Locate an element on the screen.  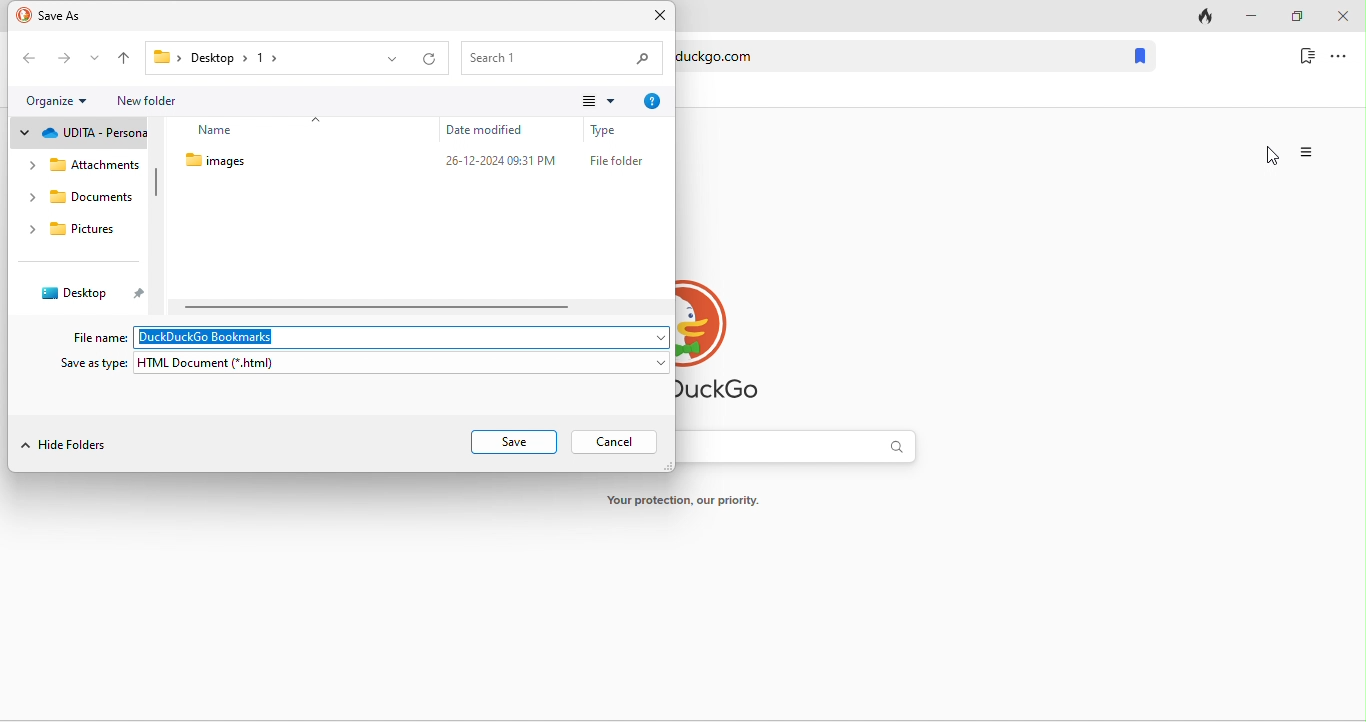
close is located at coordinates (1345, 15).